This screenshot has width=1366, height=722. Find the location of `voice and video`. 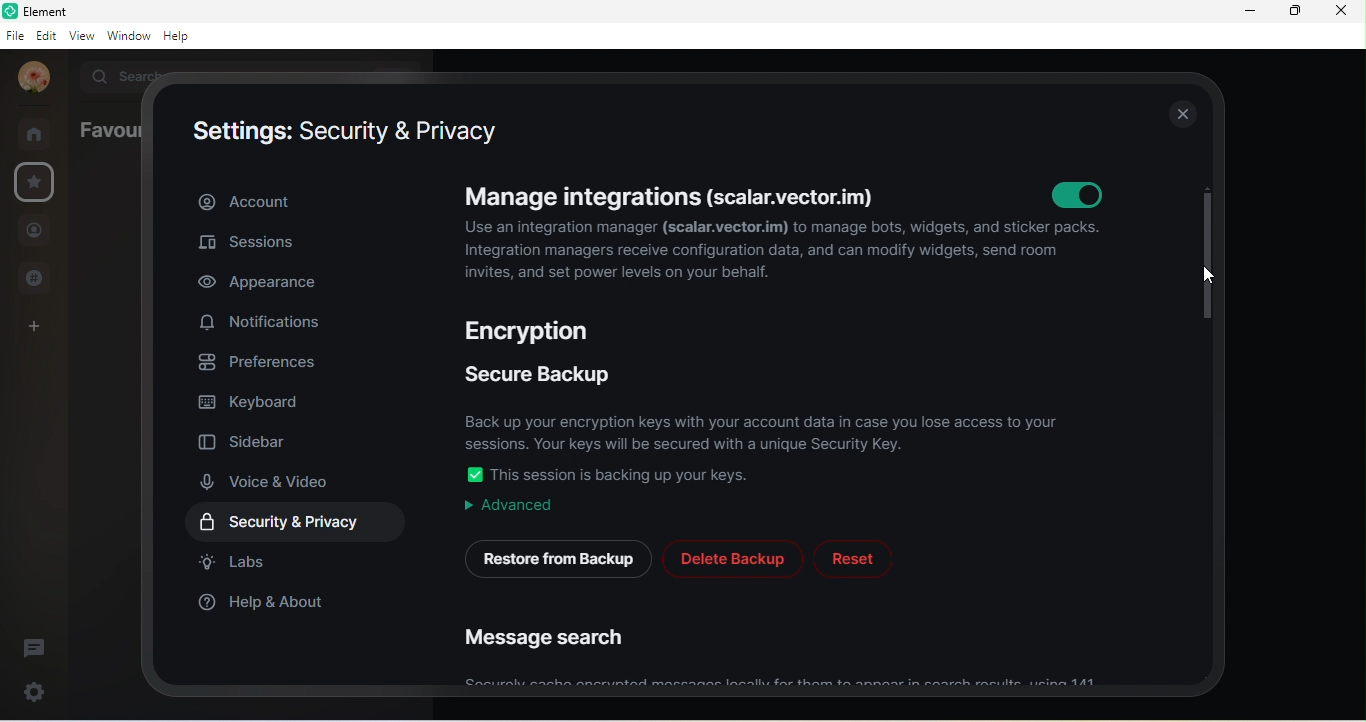

voice and video is located at coordinates (273, 481).